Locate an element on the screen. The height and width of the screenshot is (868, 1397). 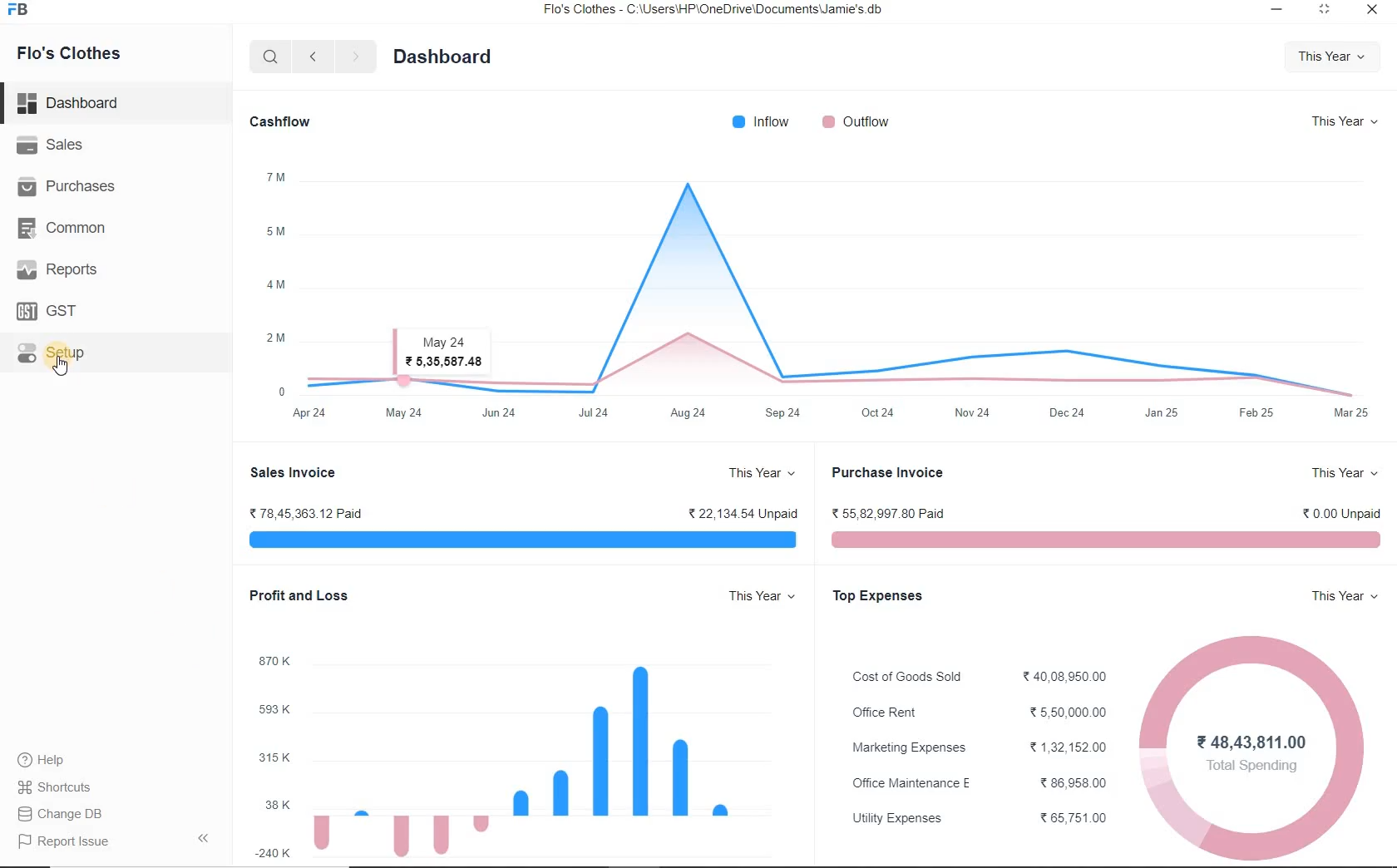
bar graph is located at coordinates (530, 759).